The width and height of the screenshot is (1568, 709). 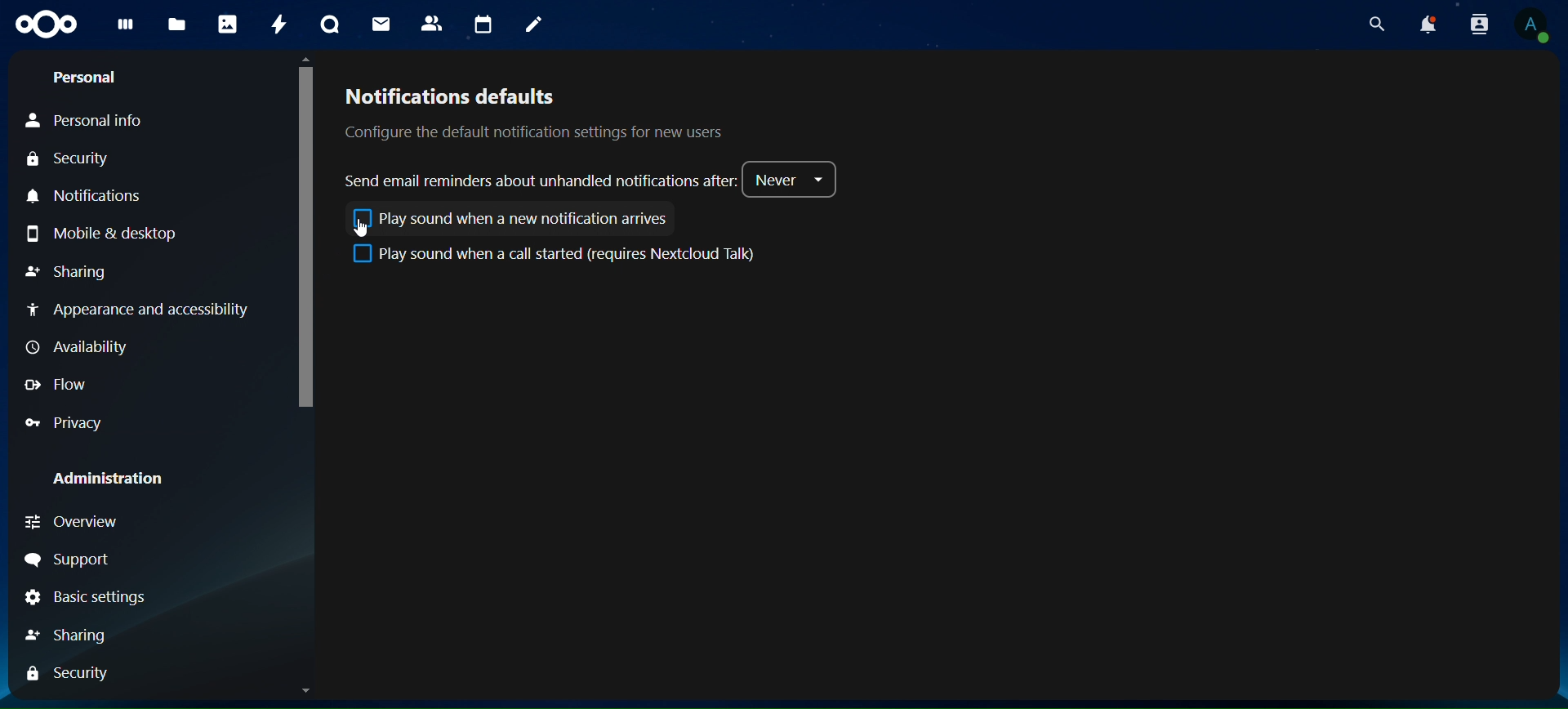 What do you see at coordinates (506, 219) in the screenshot?
I see `play sound when a new notification arrives` at bounding box center [506, 219].